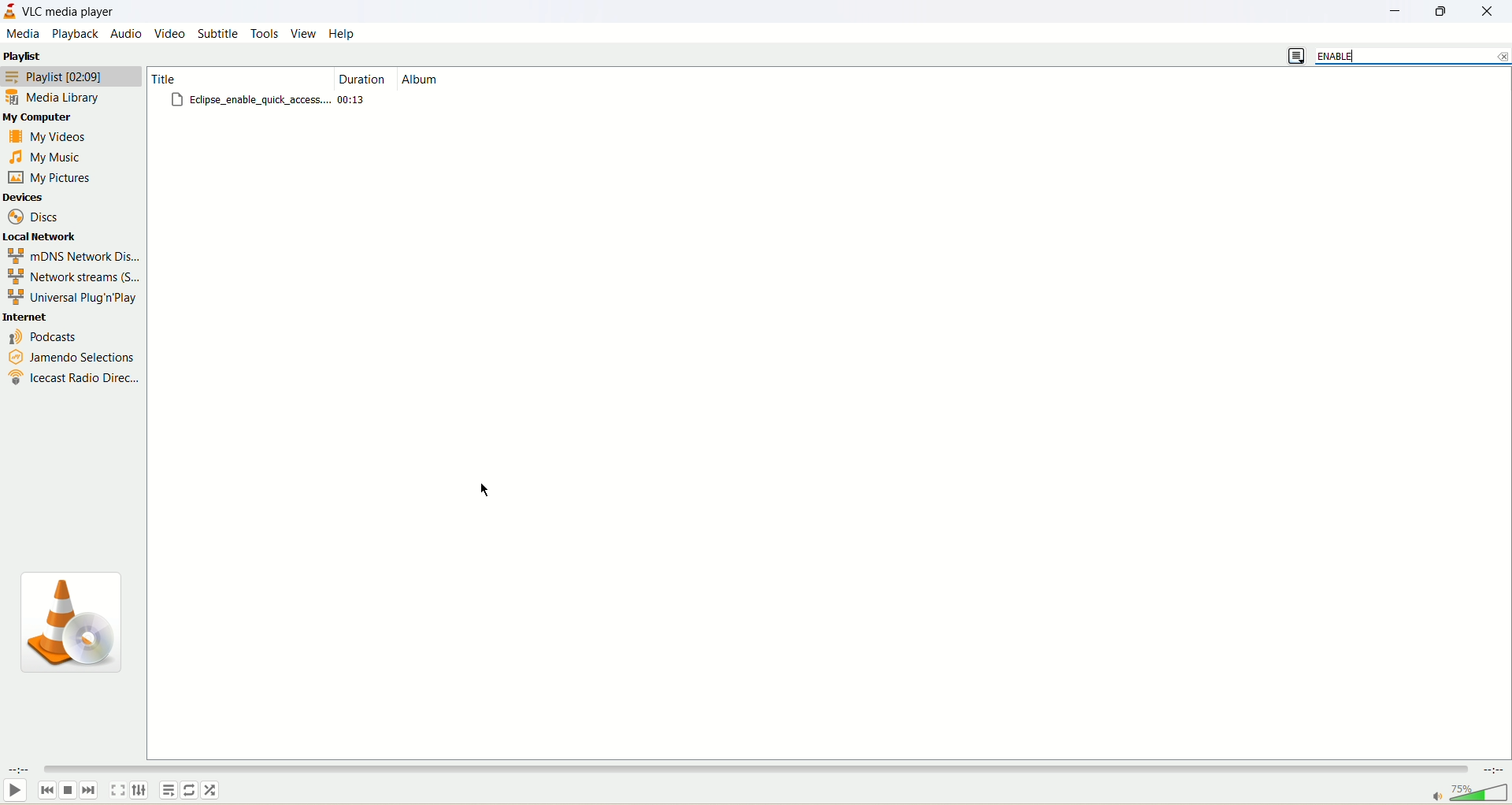 Image resolution: width=1512 pixels, height=805 pixels. What do you see at coordinates (51, 178) in the screenshot?
I see `my pictures` at bounding box center [51, 178].